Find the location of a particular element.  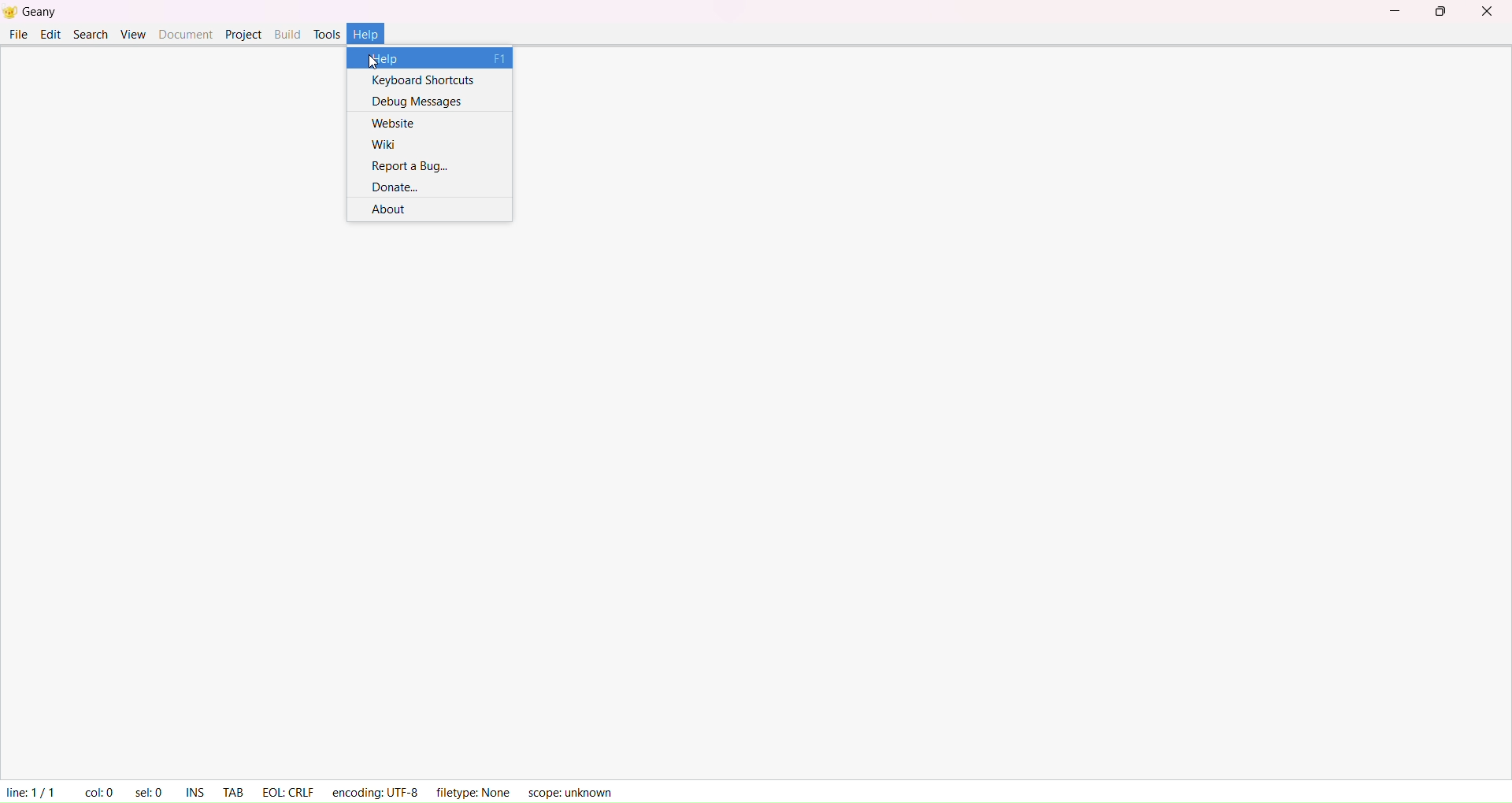

column is located at coordinates (97, 787).